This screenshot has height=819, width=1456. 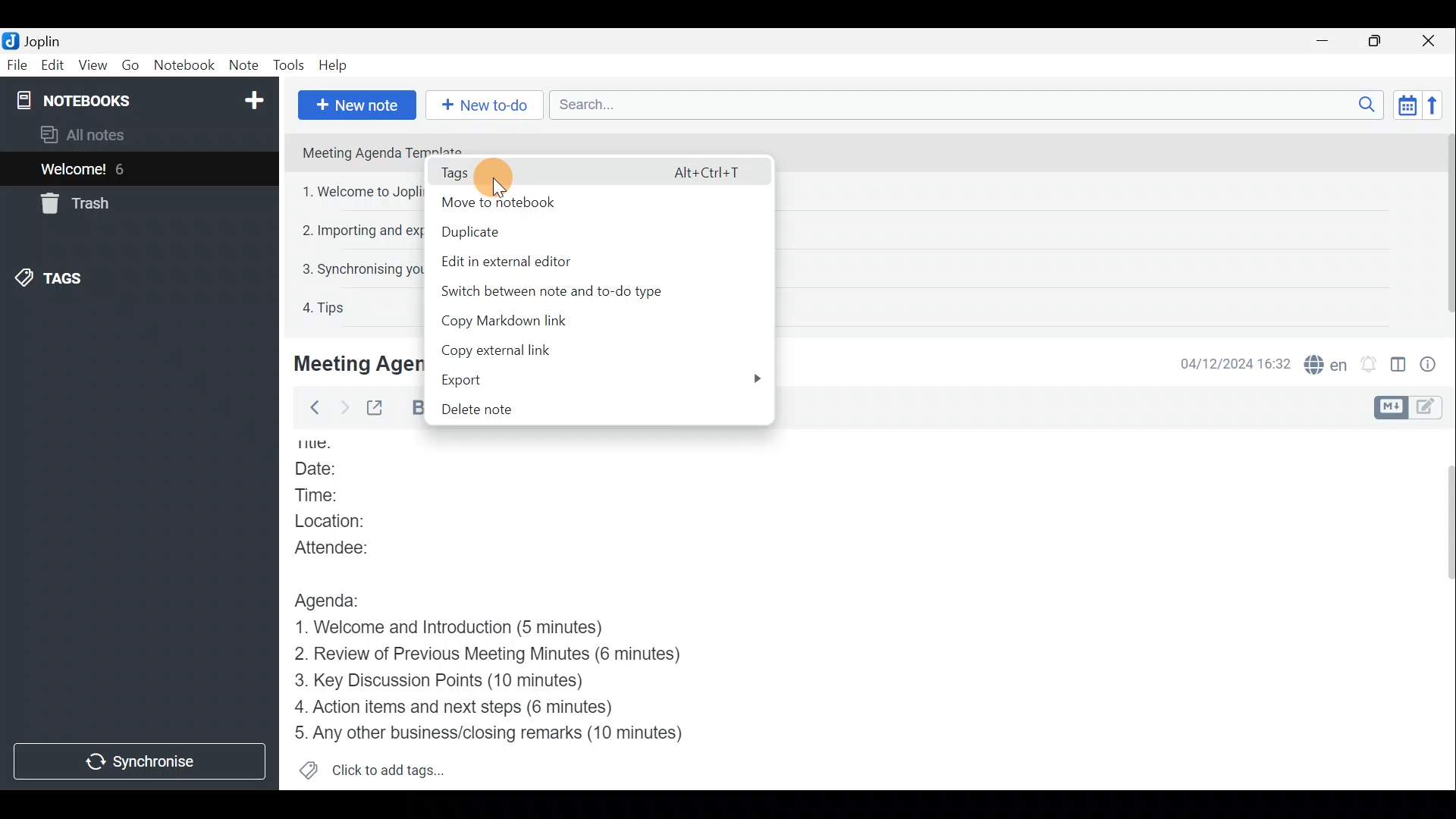 I want to click on cursor, so click(x=493, y=178).